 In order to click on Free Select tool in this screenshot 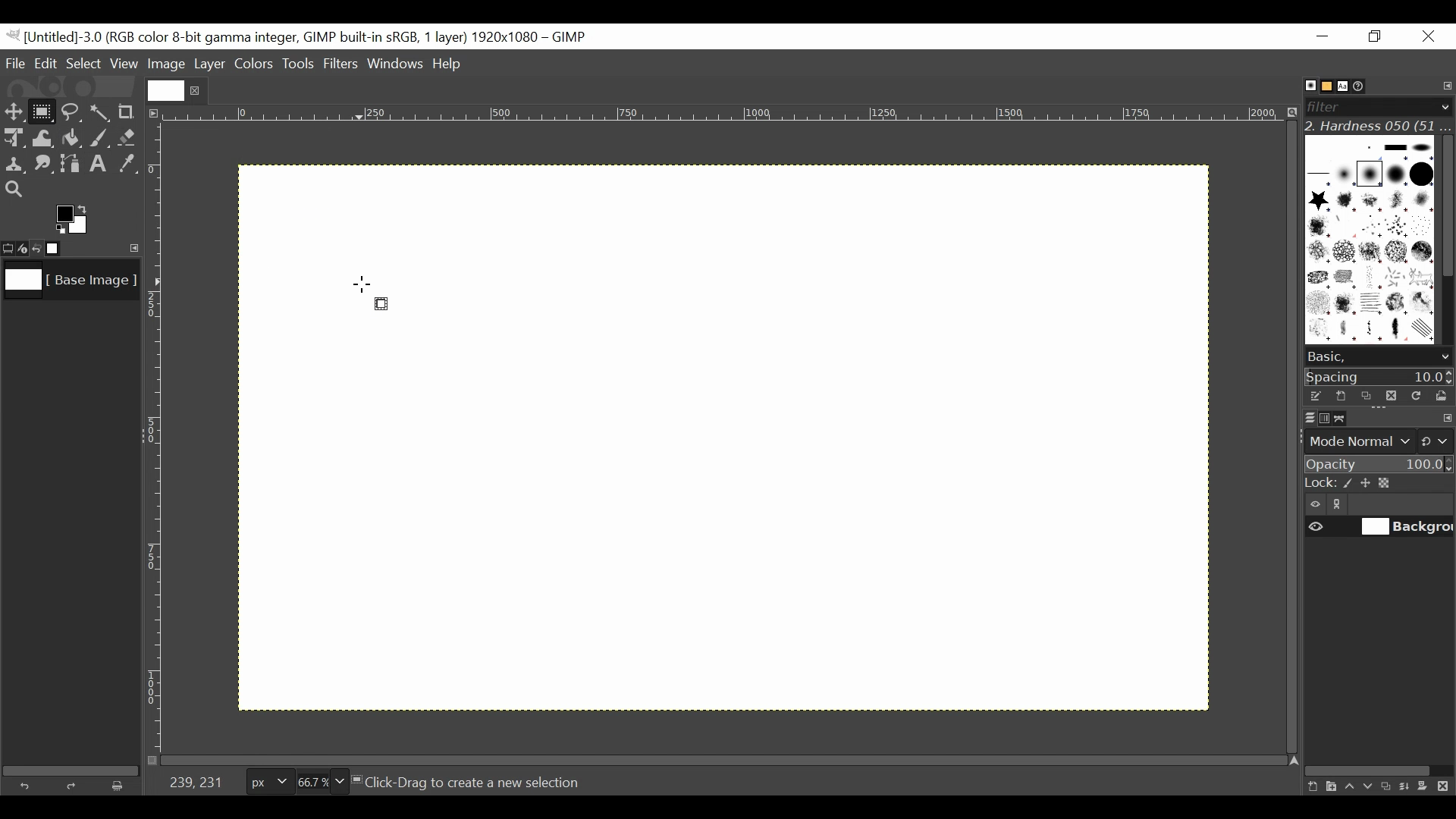, I will do `click(70, 109)`.